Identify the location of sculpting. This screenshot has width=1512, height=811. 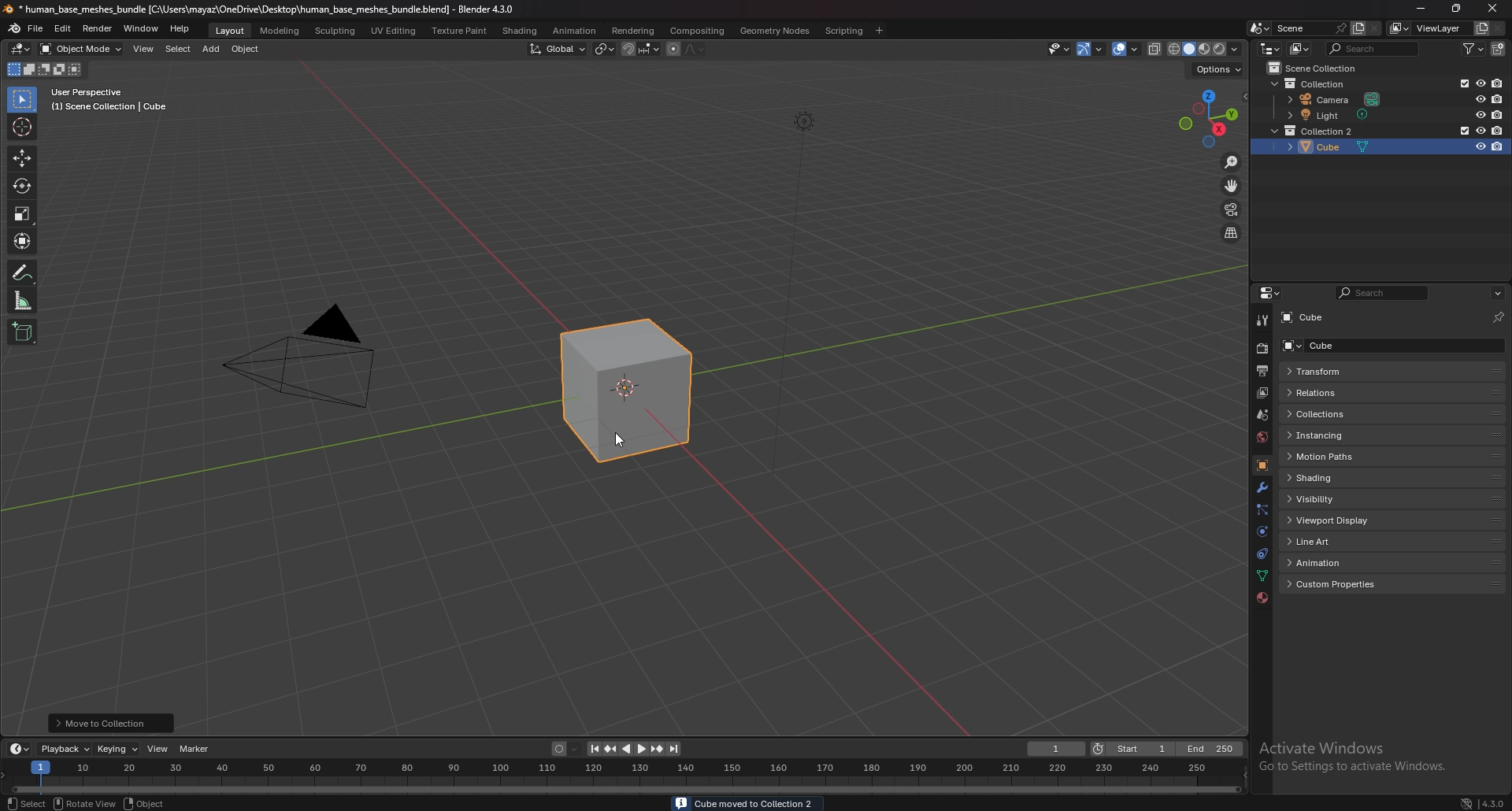
(337, 30).